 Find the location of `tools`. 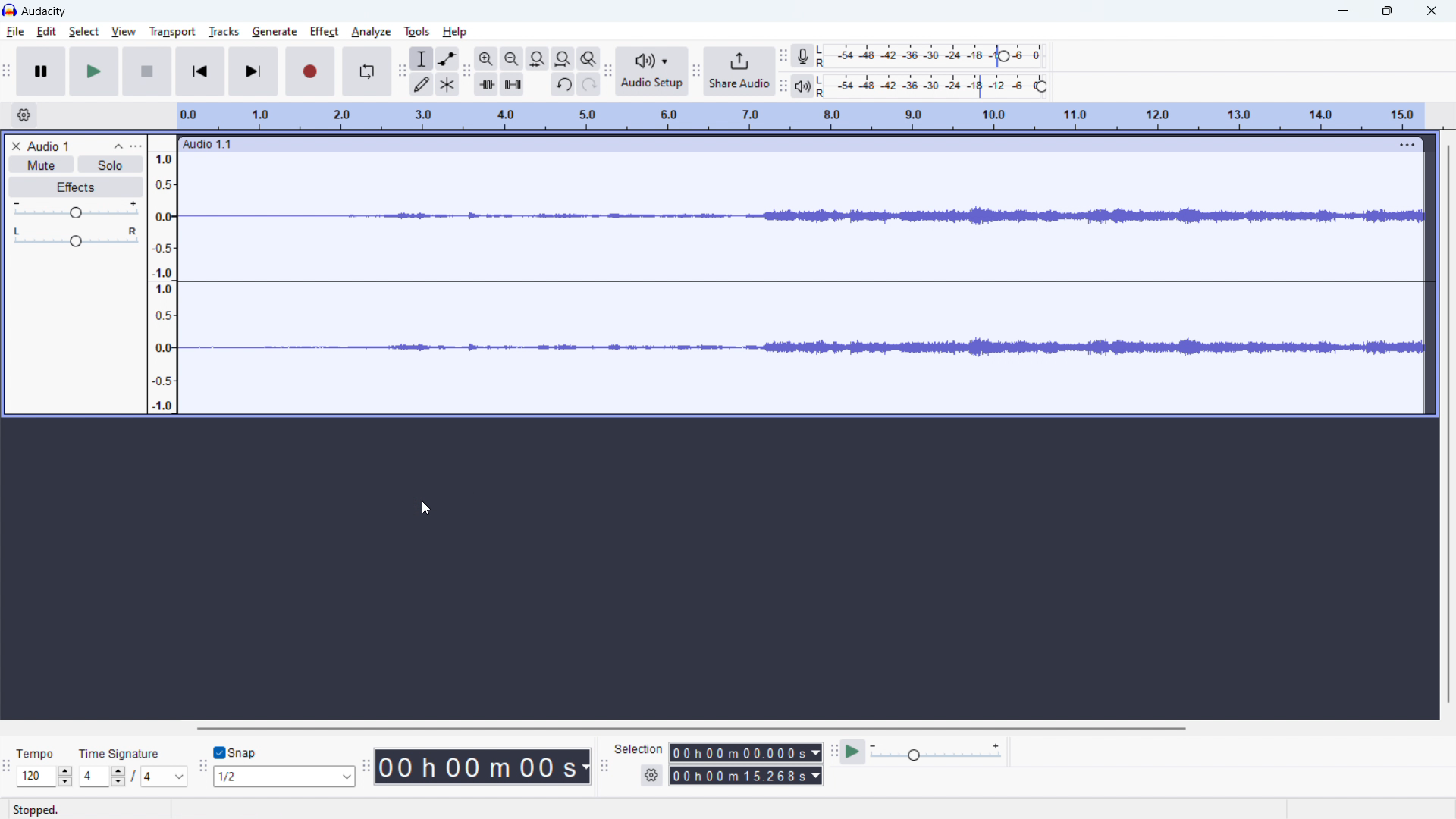

tools is located at coordinates (416, 31).